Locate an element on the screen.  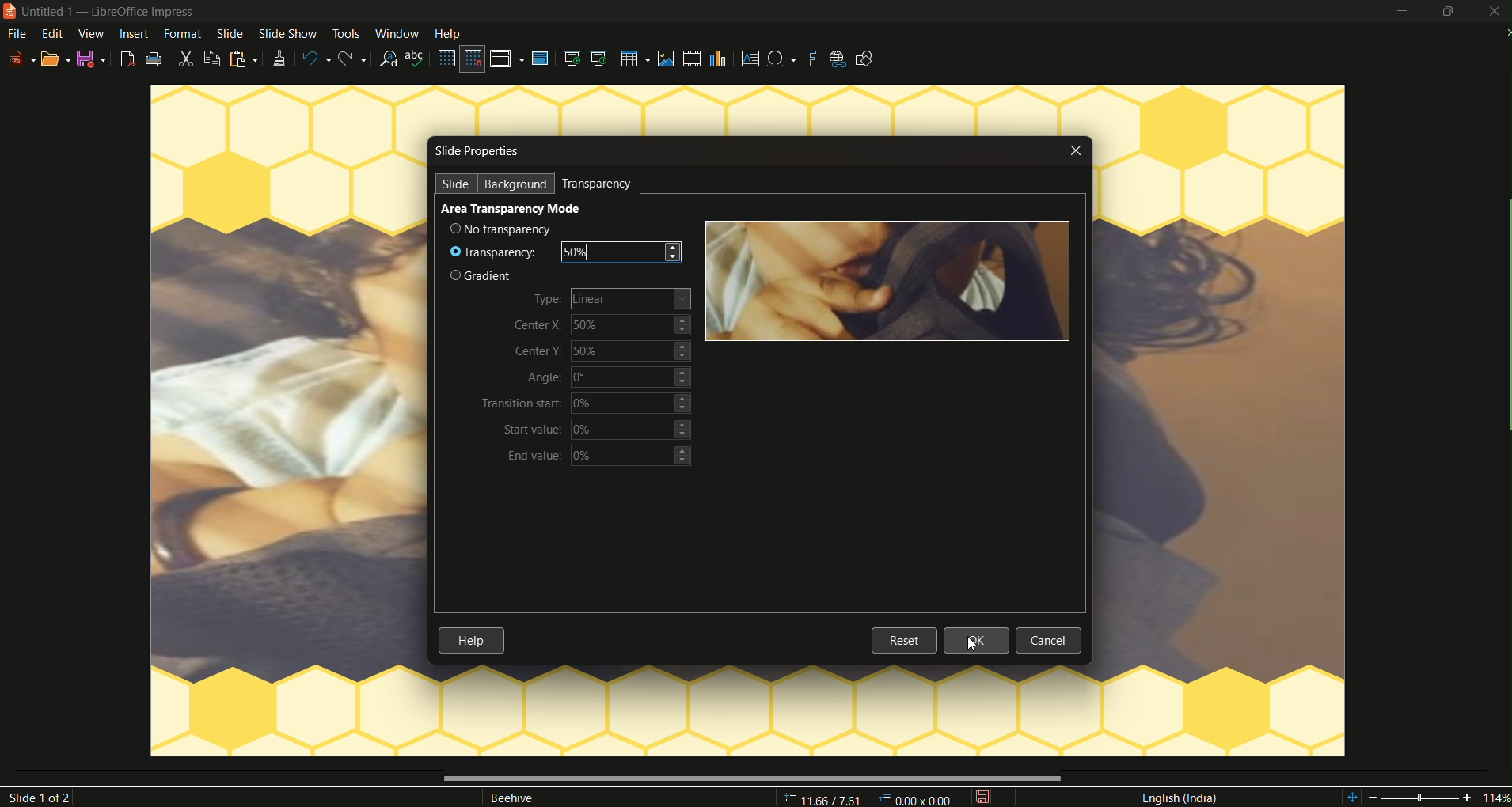
Beehive is located at coordinates (518, 798).